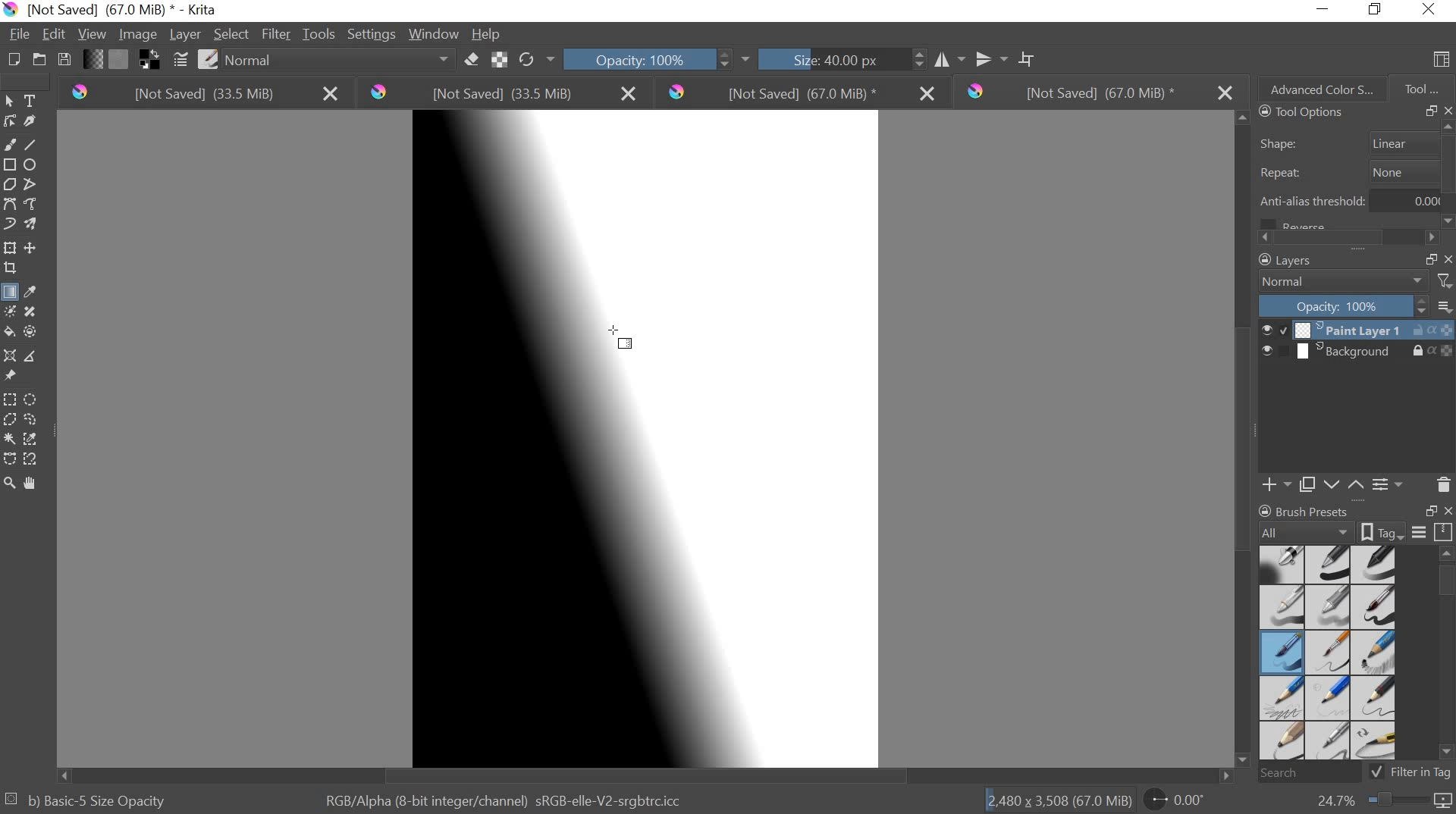 The width and height of the screenshot is (1456, 814). I want to click on SCROLLBAR, so click(1447, 658).